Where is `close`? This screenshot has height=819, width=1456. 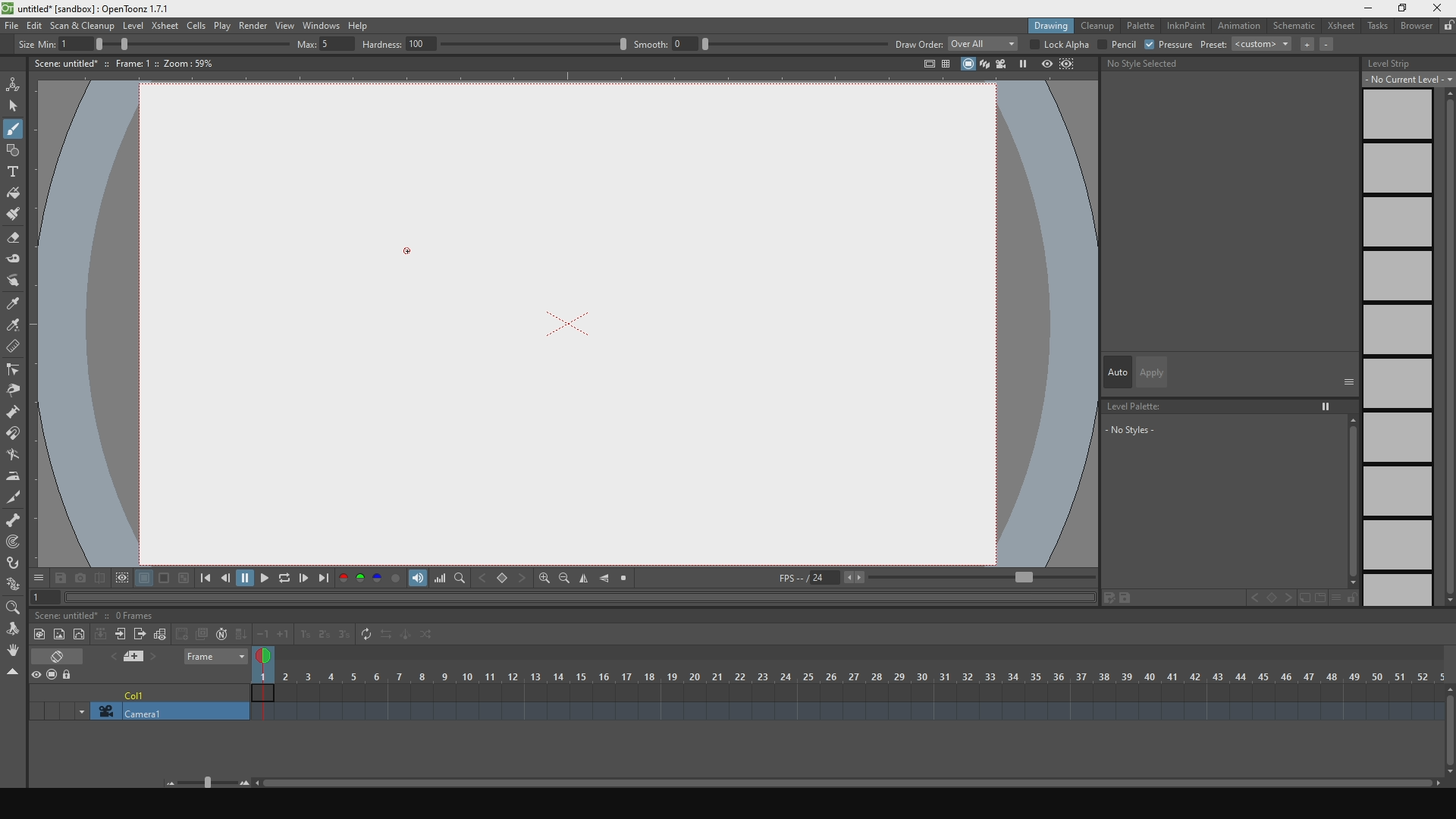
close is located at coordinates (14, 672).